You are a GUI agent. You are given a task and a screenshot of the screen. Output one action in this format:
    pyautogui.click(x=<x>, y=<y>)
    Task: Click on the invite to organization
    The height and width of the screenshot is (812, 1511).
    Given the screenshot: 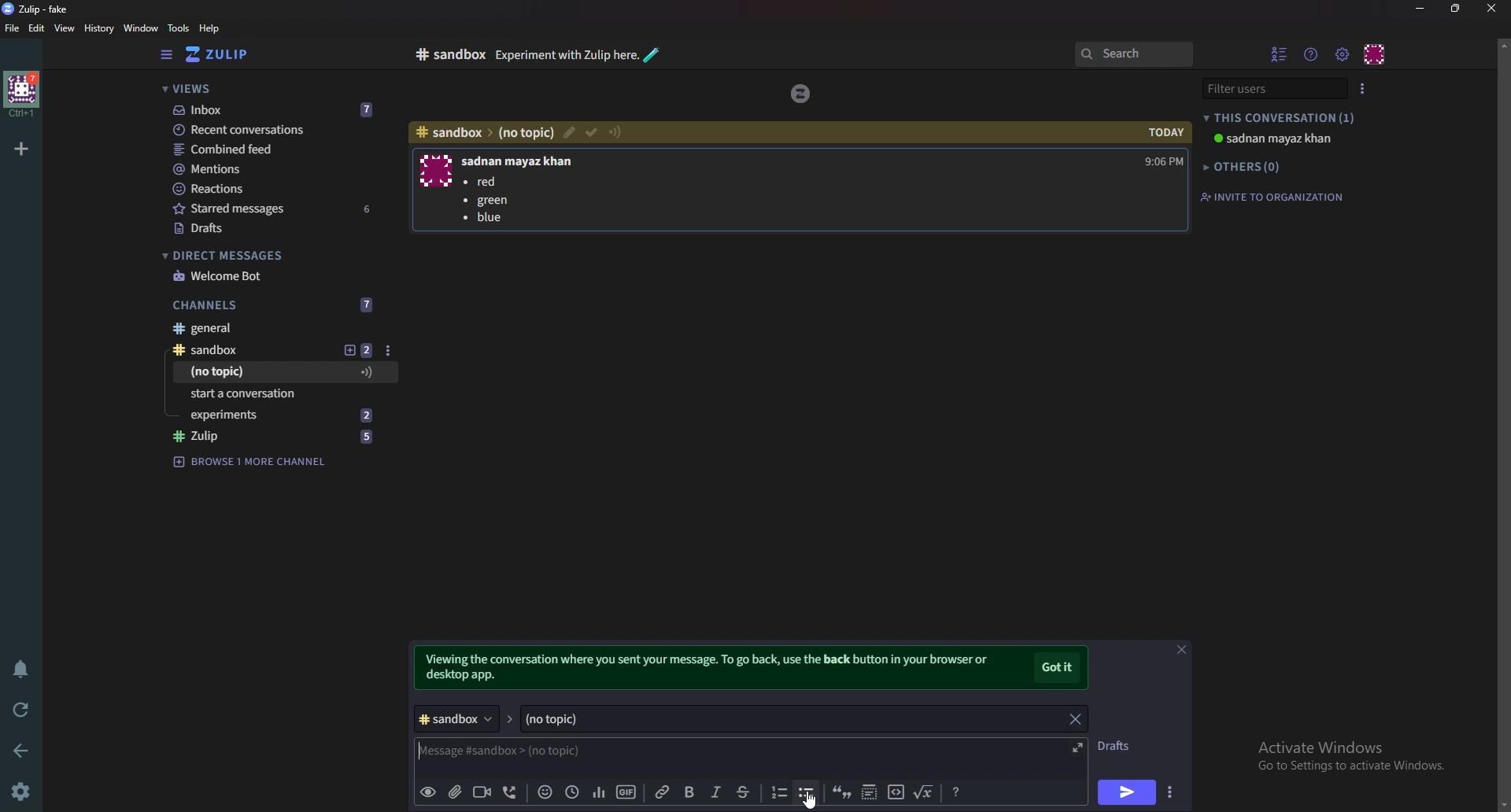 What is the action you would take?
    pyautogui.click(x=1272, y=197)
    